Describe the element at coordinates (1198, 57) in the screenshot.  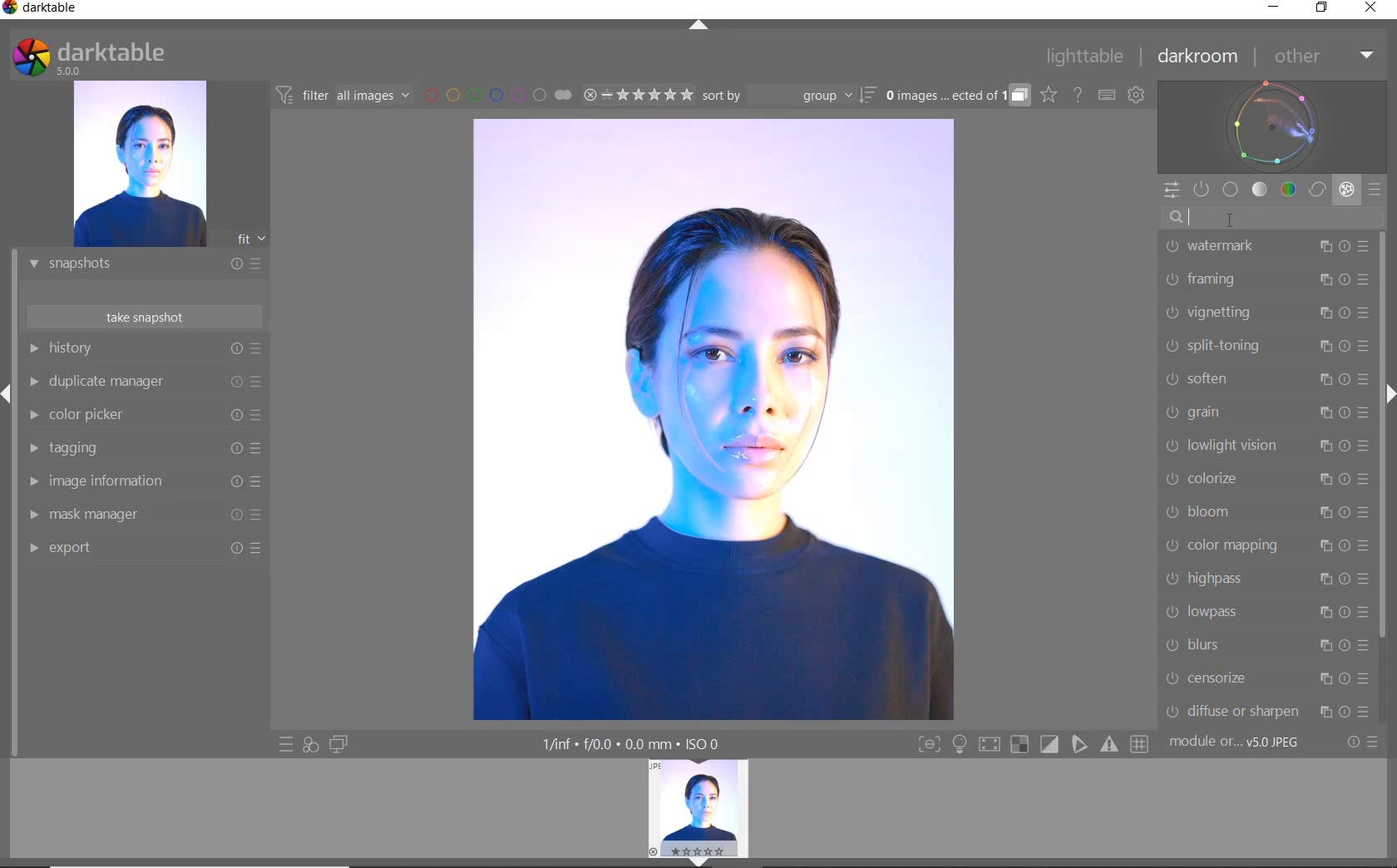
I see `DARKROOM` at that location.